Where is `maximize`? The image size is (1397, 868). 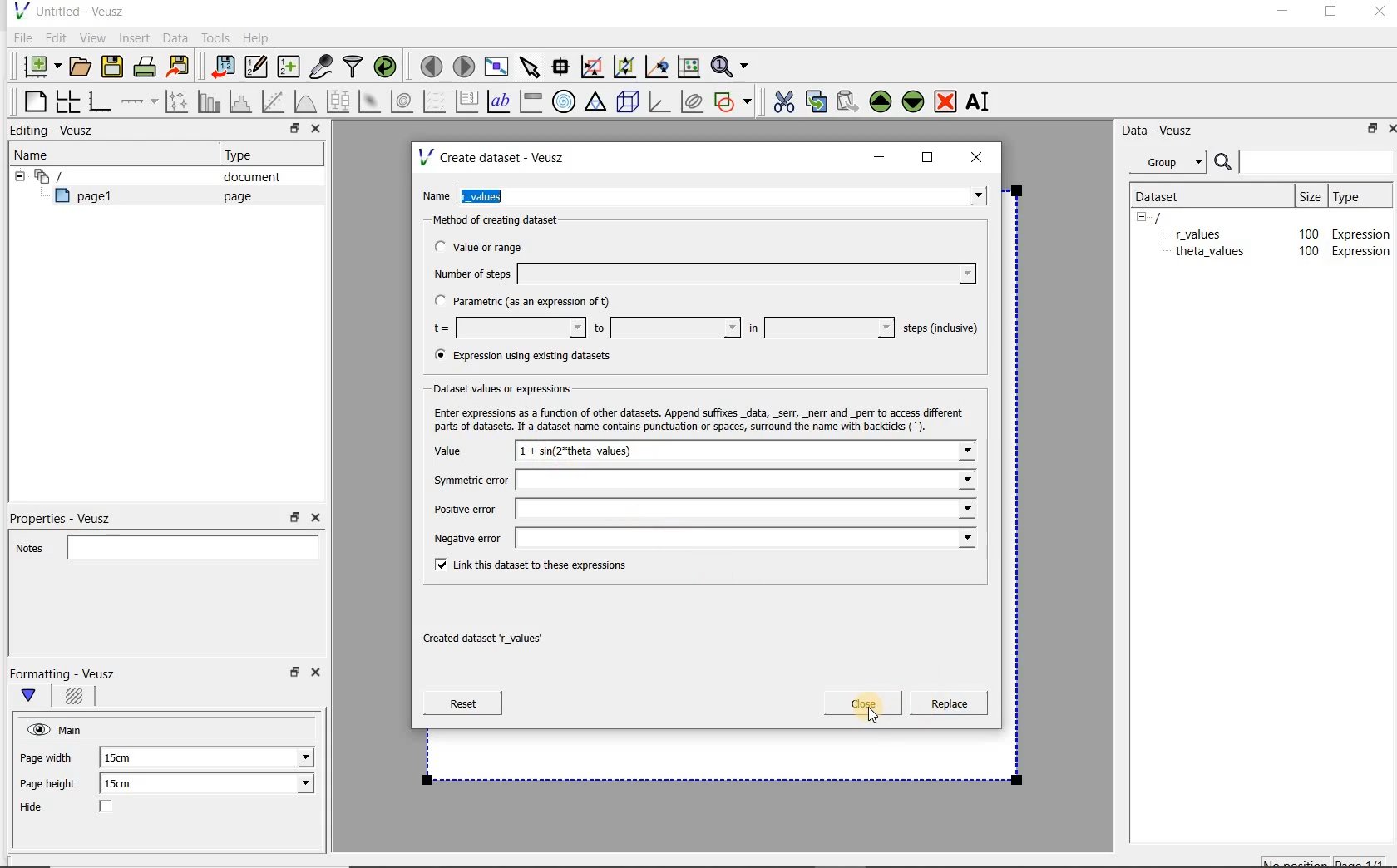 maximize is located at coordinates (928, 158).